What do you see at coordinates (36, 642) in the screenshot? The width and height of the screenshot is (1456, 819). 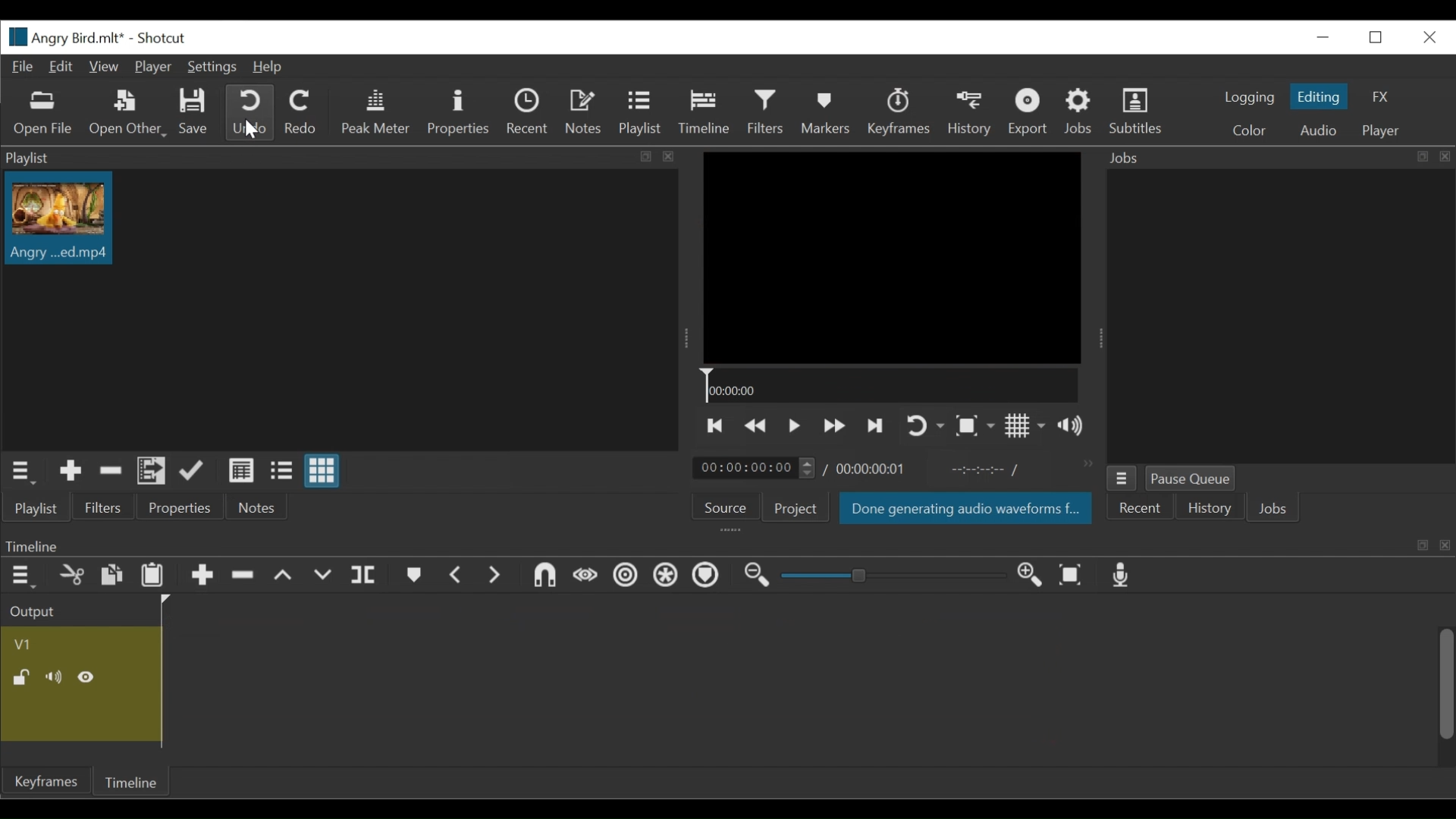 I see `Video Track Name` at bounding box center [36, 642].